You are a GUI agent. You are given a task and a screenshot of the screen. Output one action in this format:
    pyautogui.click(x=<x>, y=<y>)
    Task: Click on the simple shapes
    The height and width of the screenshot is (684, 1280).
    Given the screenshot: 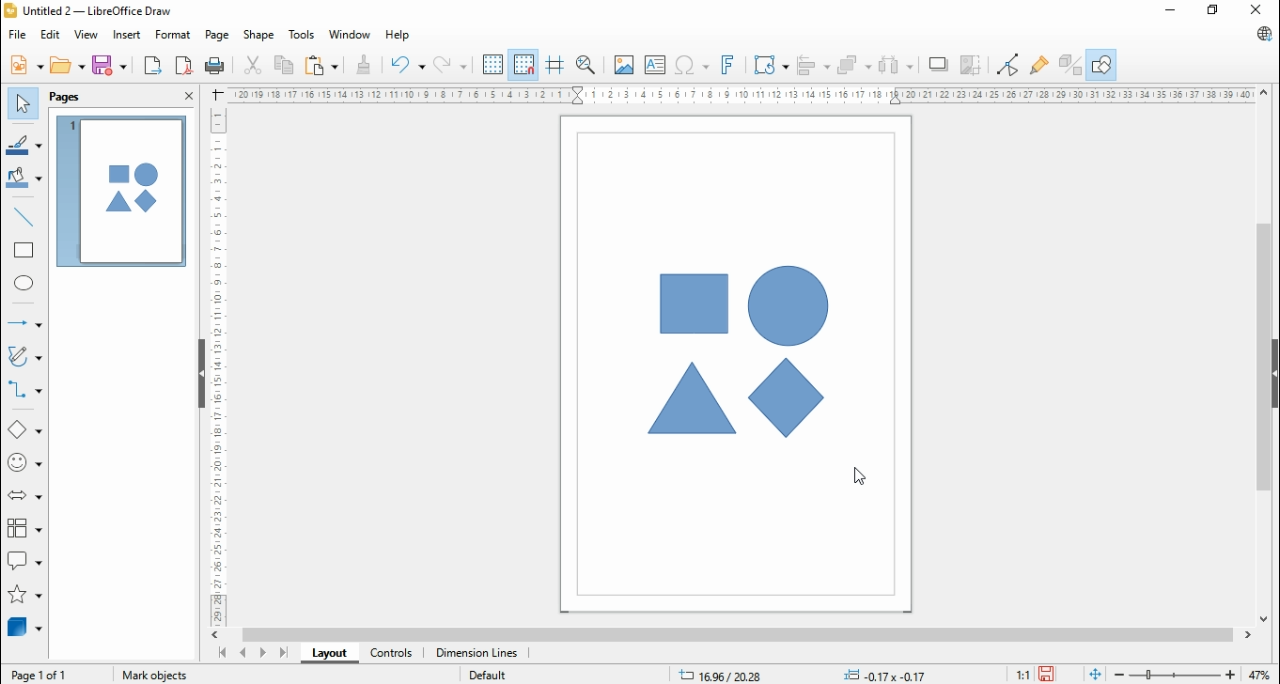 What is the action you would take?
    pyautogui.click(x=26, y=428)
    